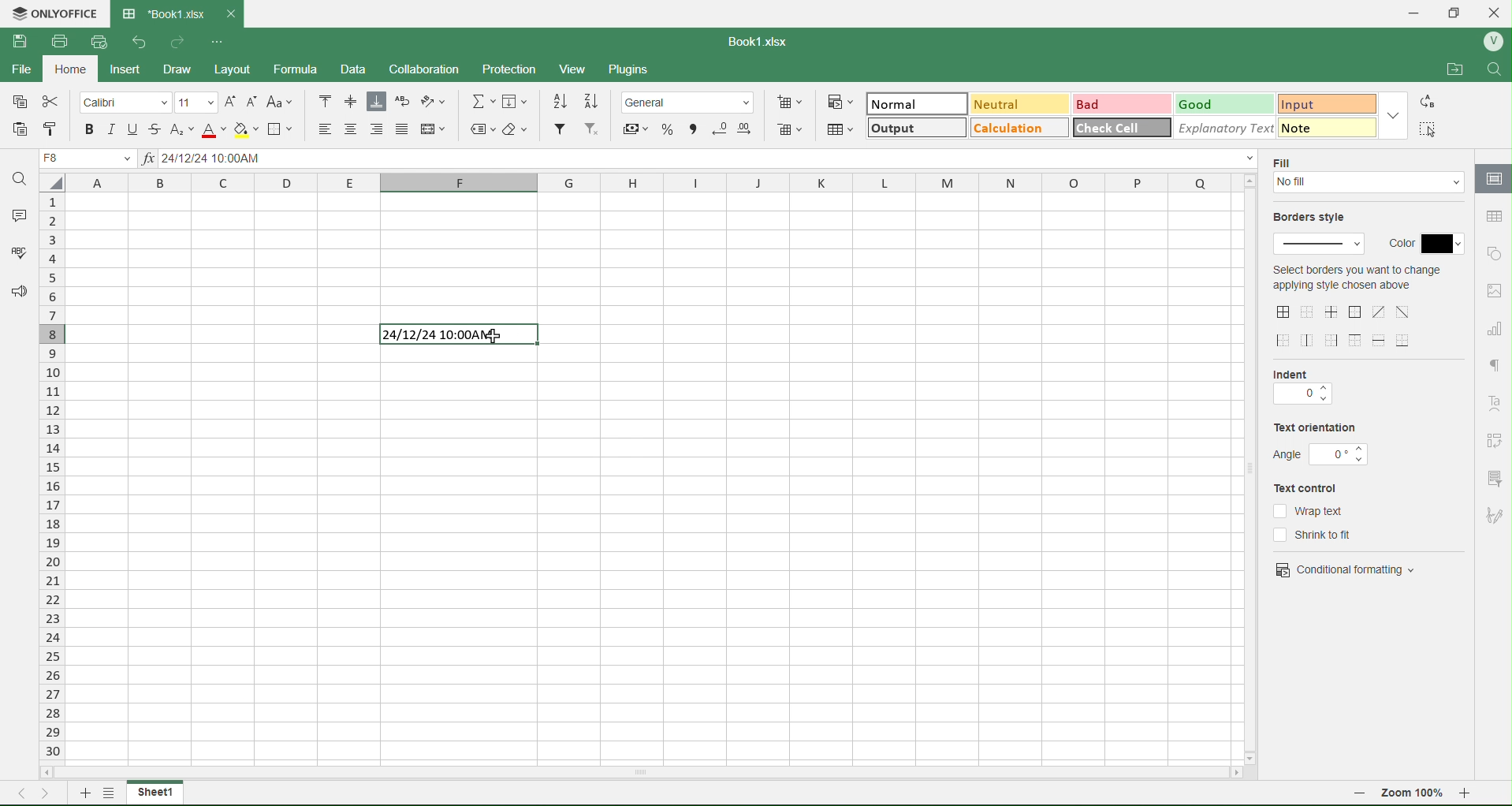 The image size is (1512, 806). What do you see at coordinates (559, 129) in the screenshot?
I see `Filter` at bounding box center [559, 129].